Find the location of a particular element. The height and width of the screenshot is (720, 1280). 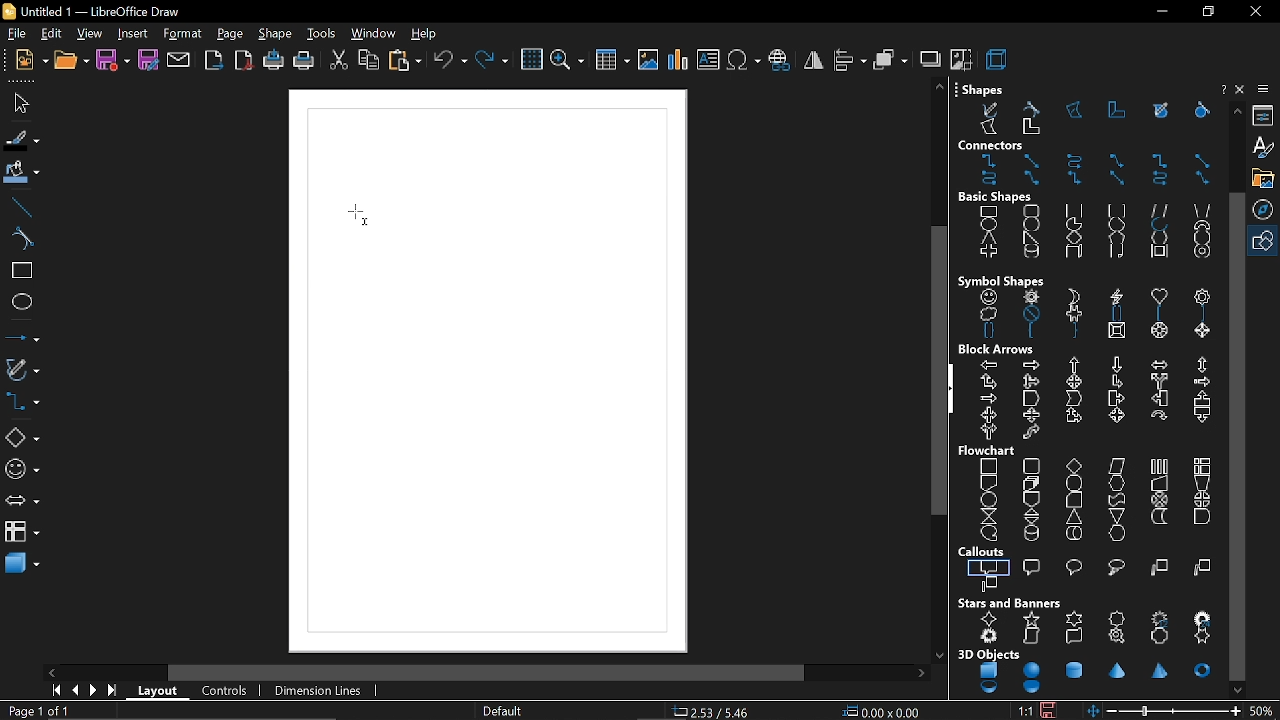

move up is located at coordinates (1237, 111).